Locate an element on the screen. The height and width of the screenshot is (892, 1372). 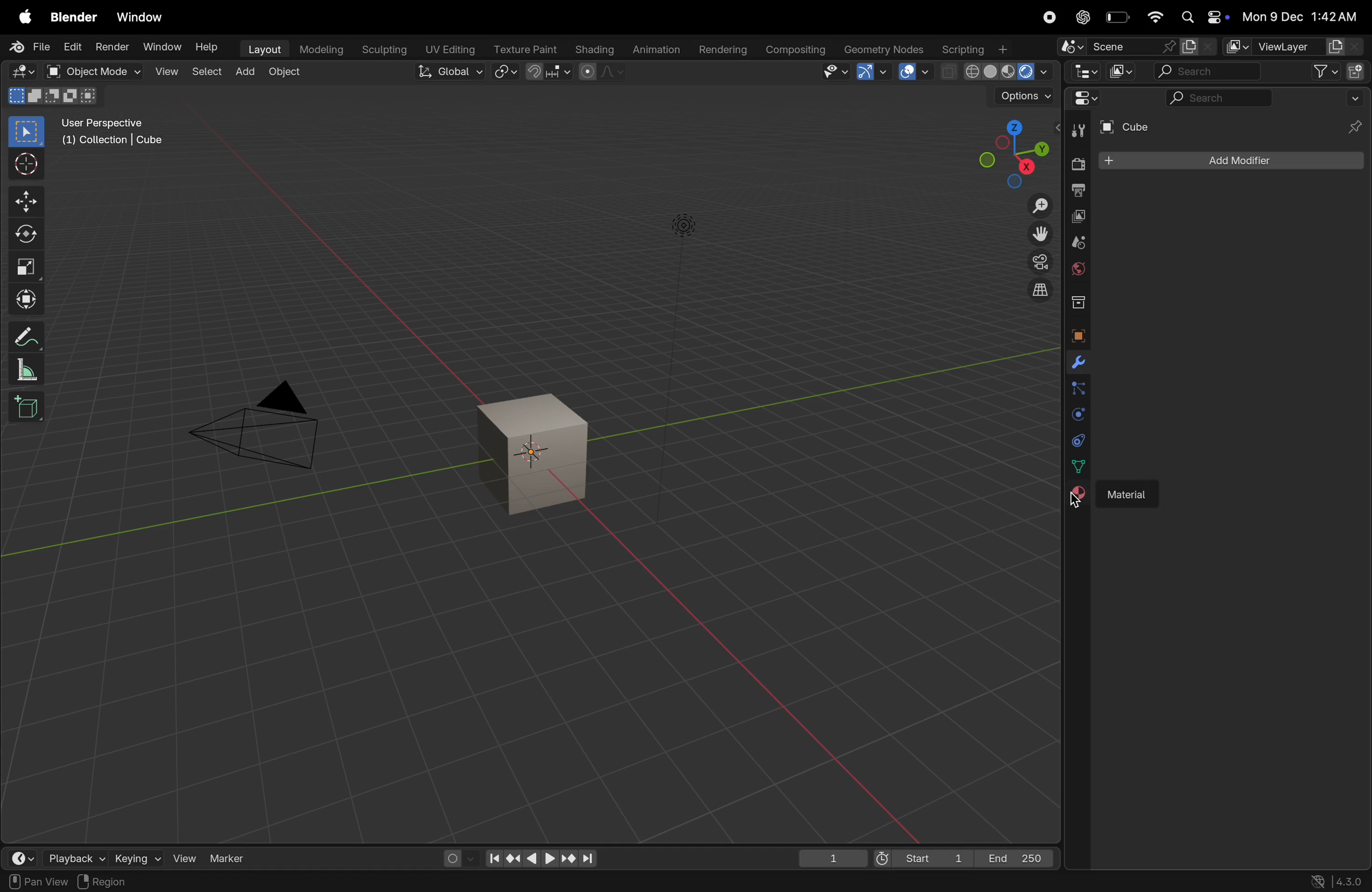
use perspective is located at coordinates (114, 133).